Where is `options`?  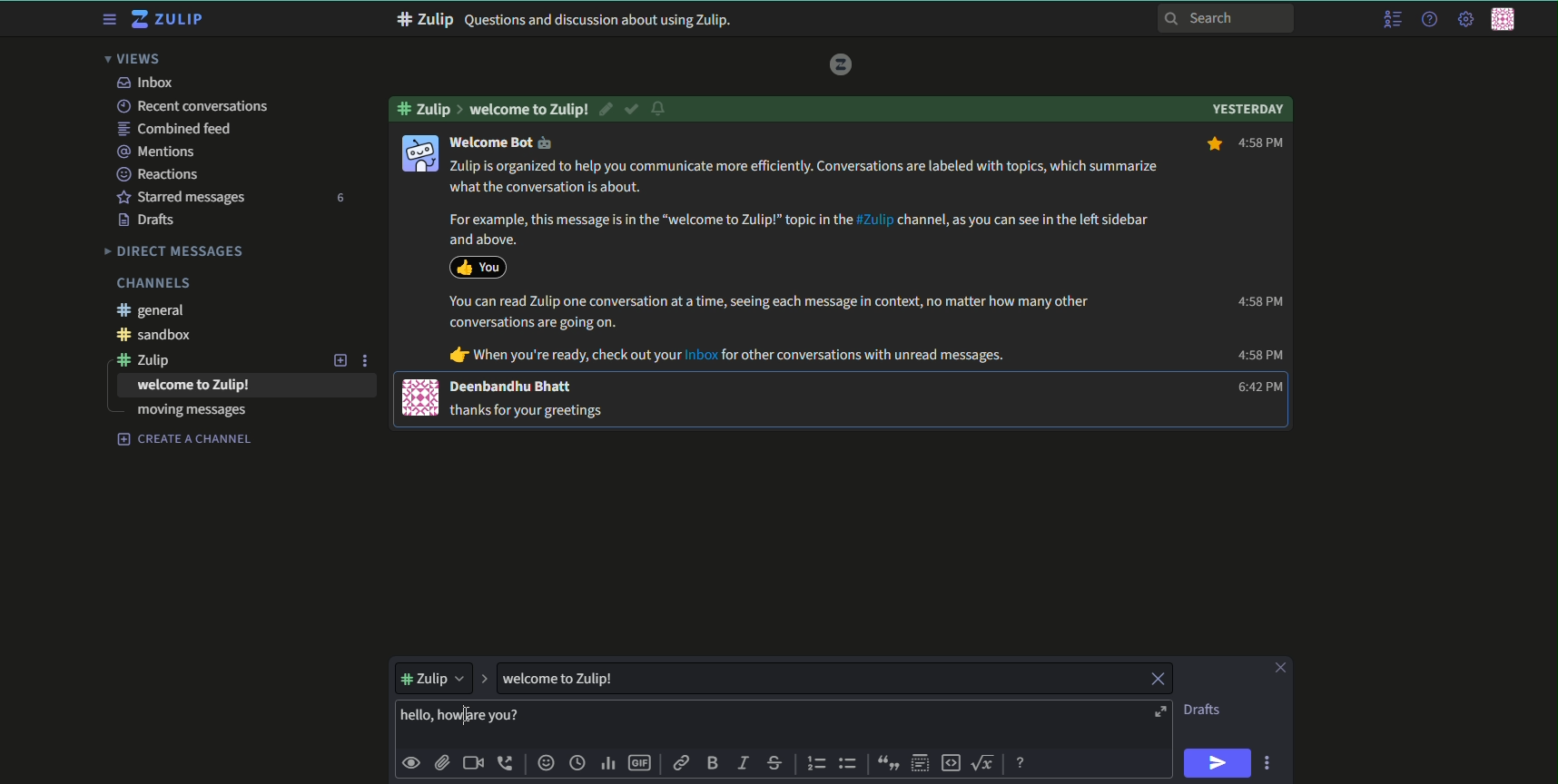 options is located at coordinates (368, 359).